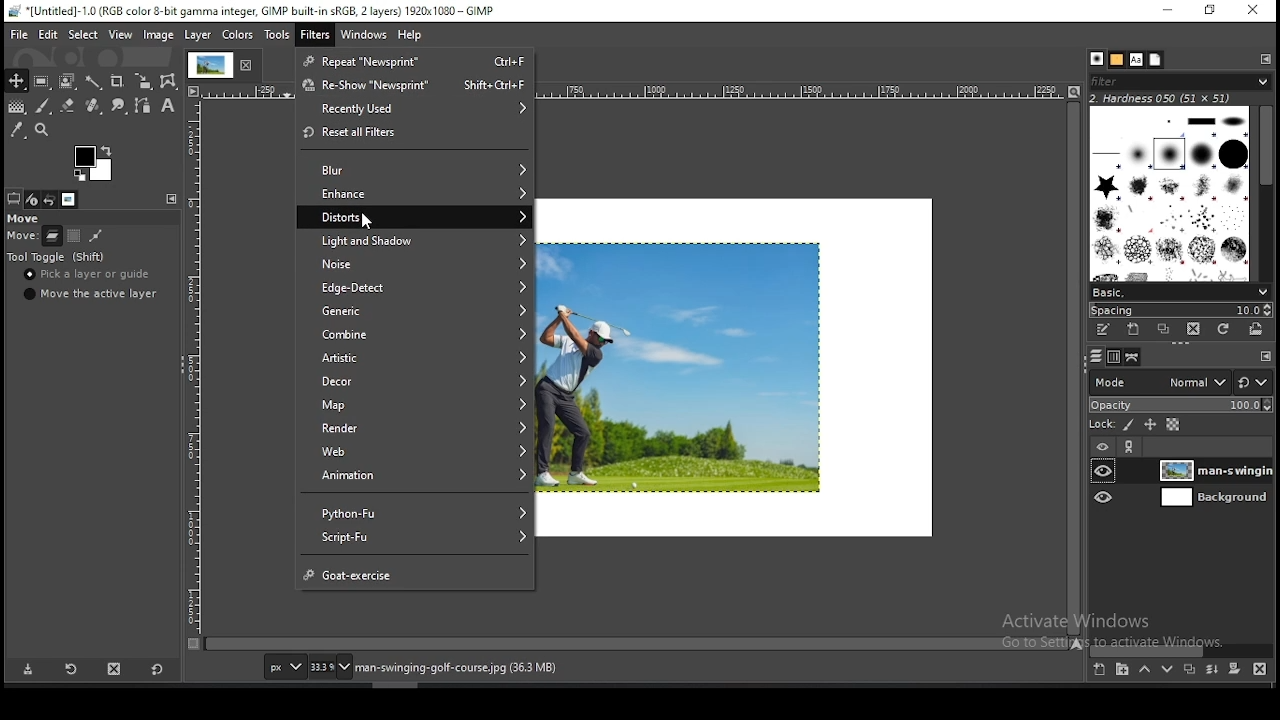  What do you see at coordinates (159, 35) in the screenshot?
I see `image` at bounding box center [159, 35].